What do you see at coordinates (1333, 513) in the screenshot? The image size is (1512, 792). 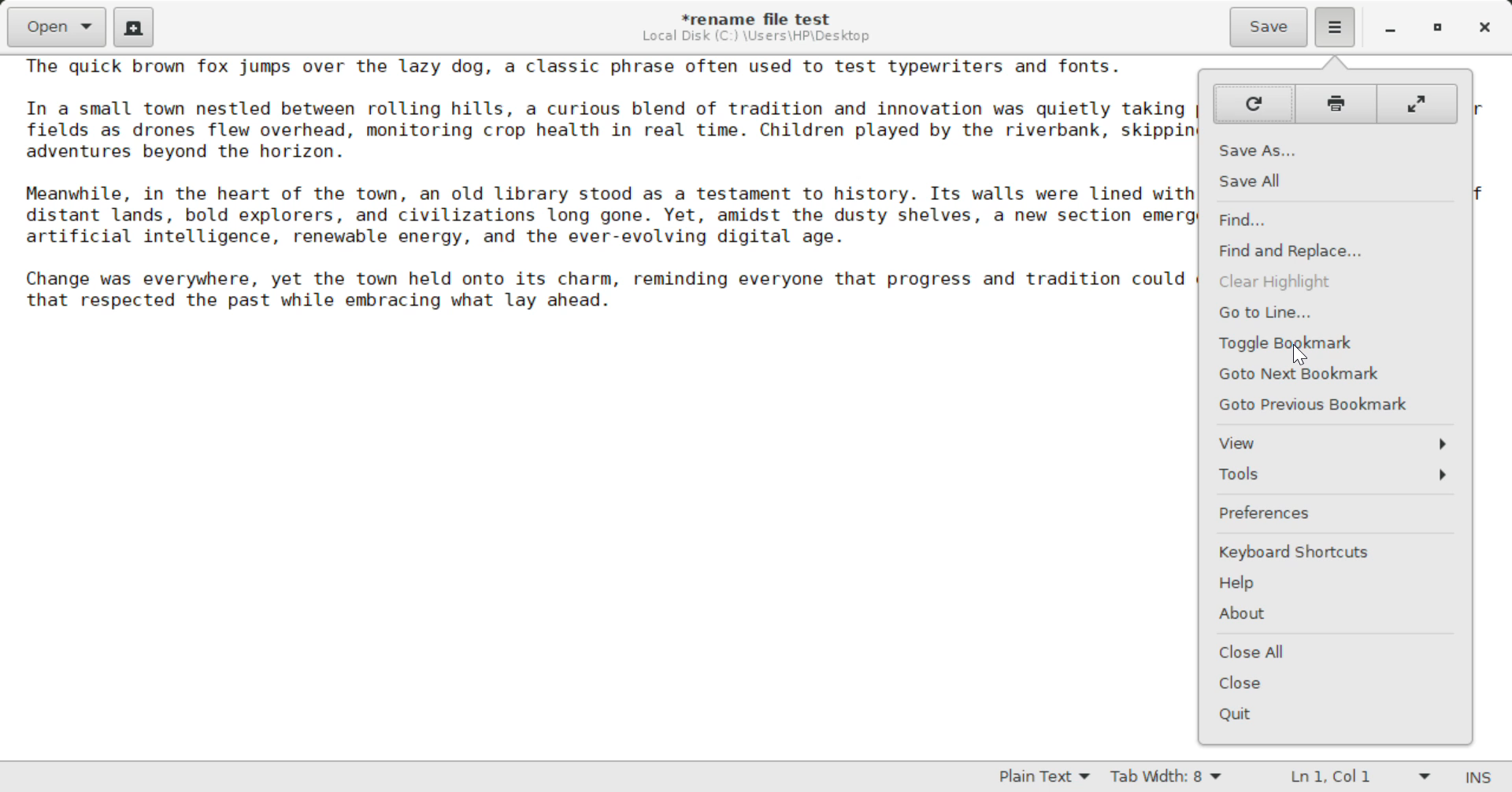 I see `Preferences` at bounding box center [1333, 513].